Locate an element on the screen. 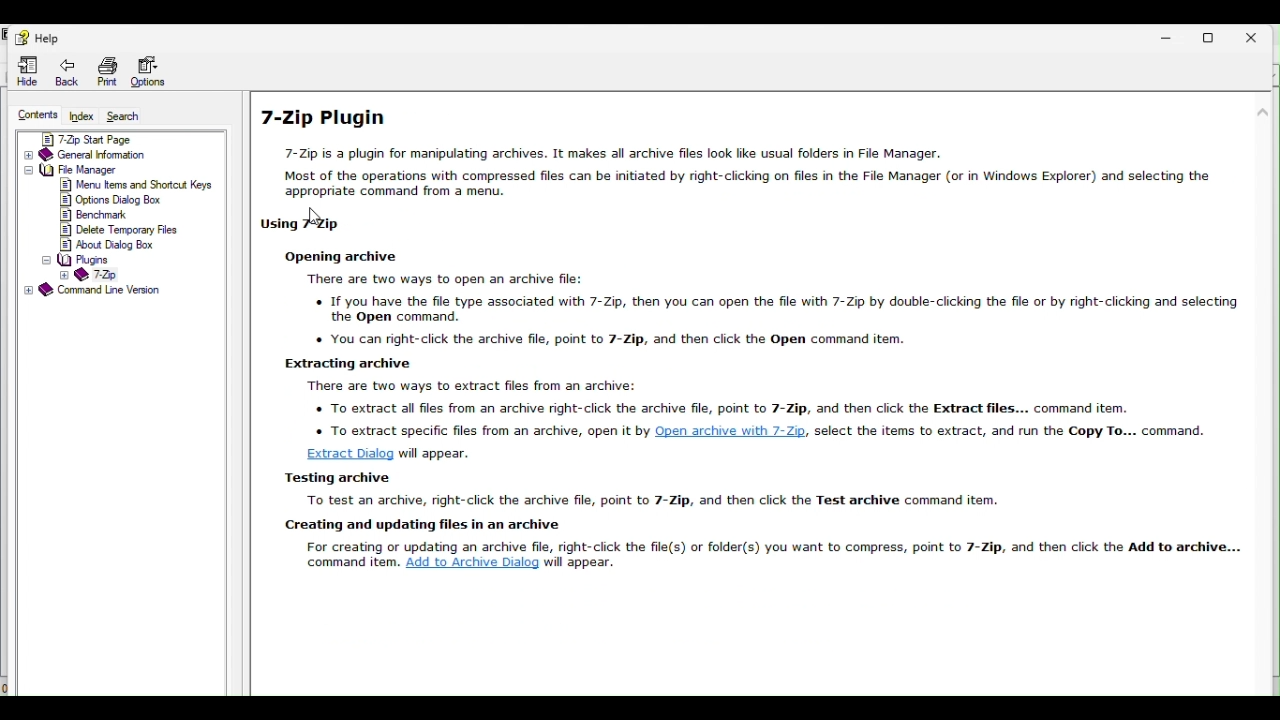 This screenshot has height=720, width=1280. will appear is located at coordinates (581, 565).